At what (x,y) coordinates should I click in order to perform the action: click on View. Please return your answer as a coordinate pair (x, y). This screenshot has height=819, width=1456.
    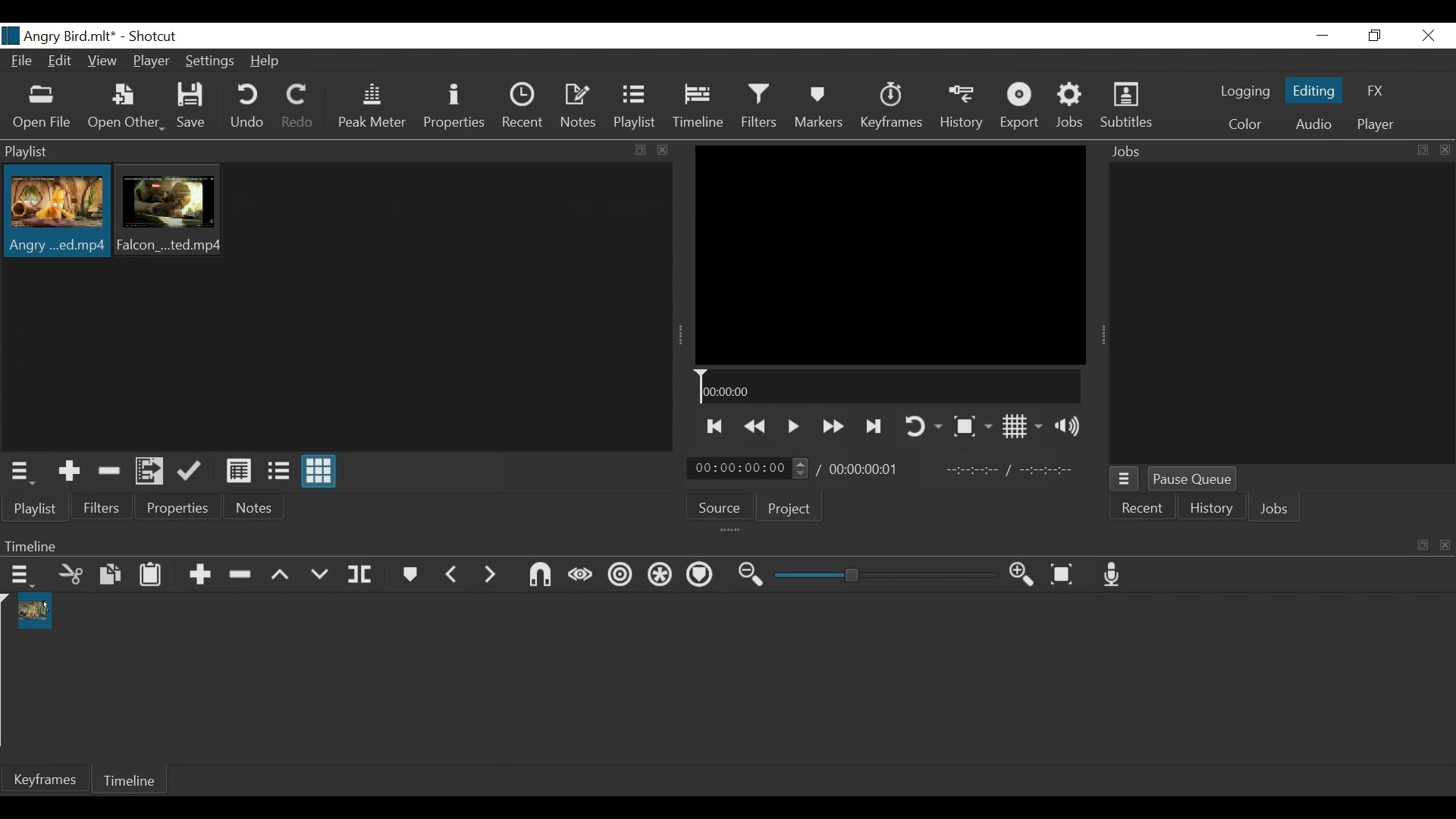
    Looking at the image, I should click on (102, 61).